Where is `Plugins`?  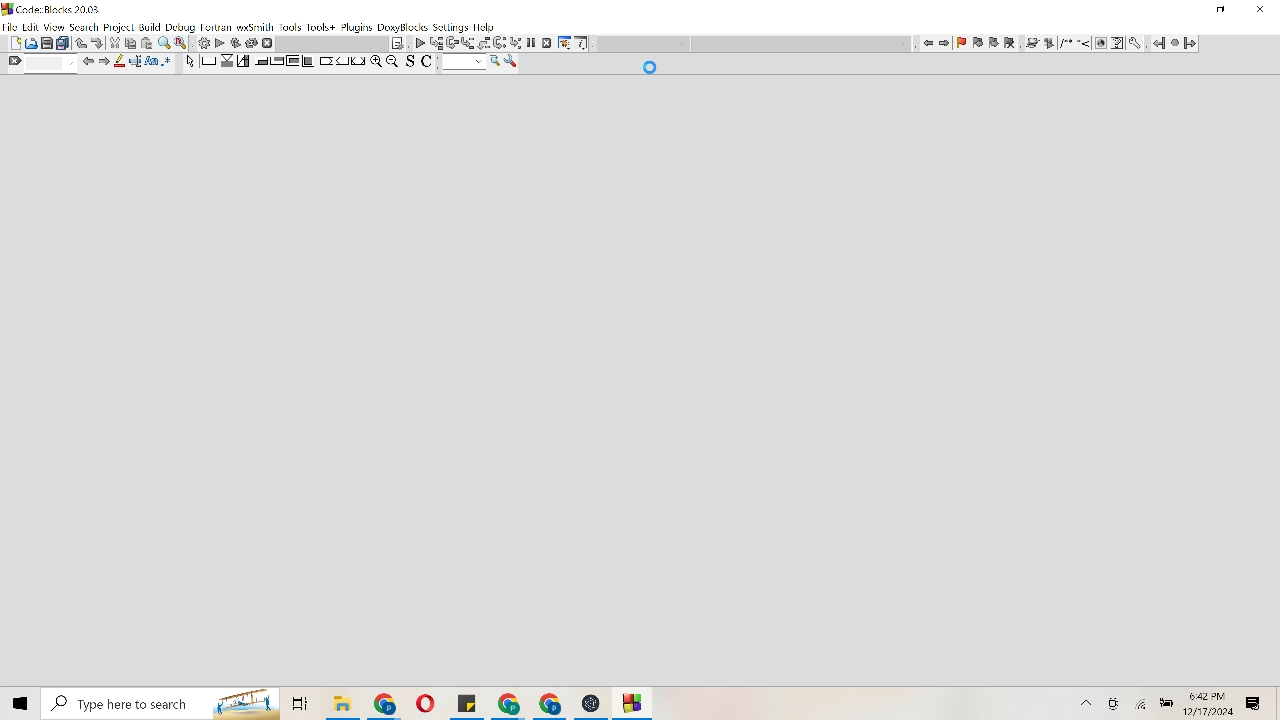 Plugins is located at coordinates (356, 27).